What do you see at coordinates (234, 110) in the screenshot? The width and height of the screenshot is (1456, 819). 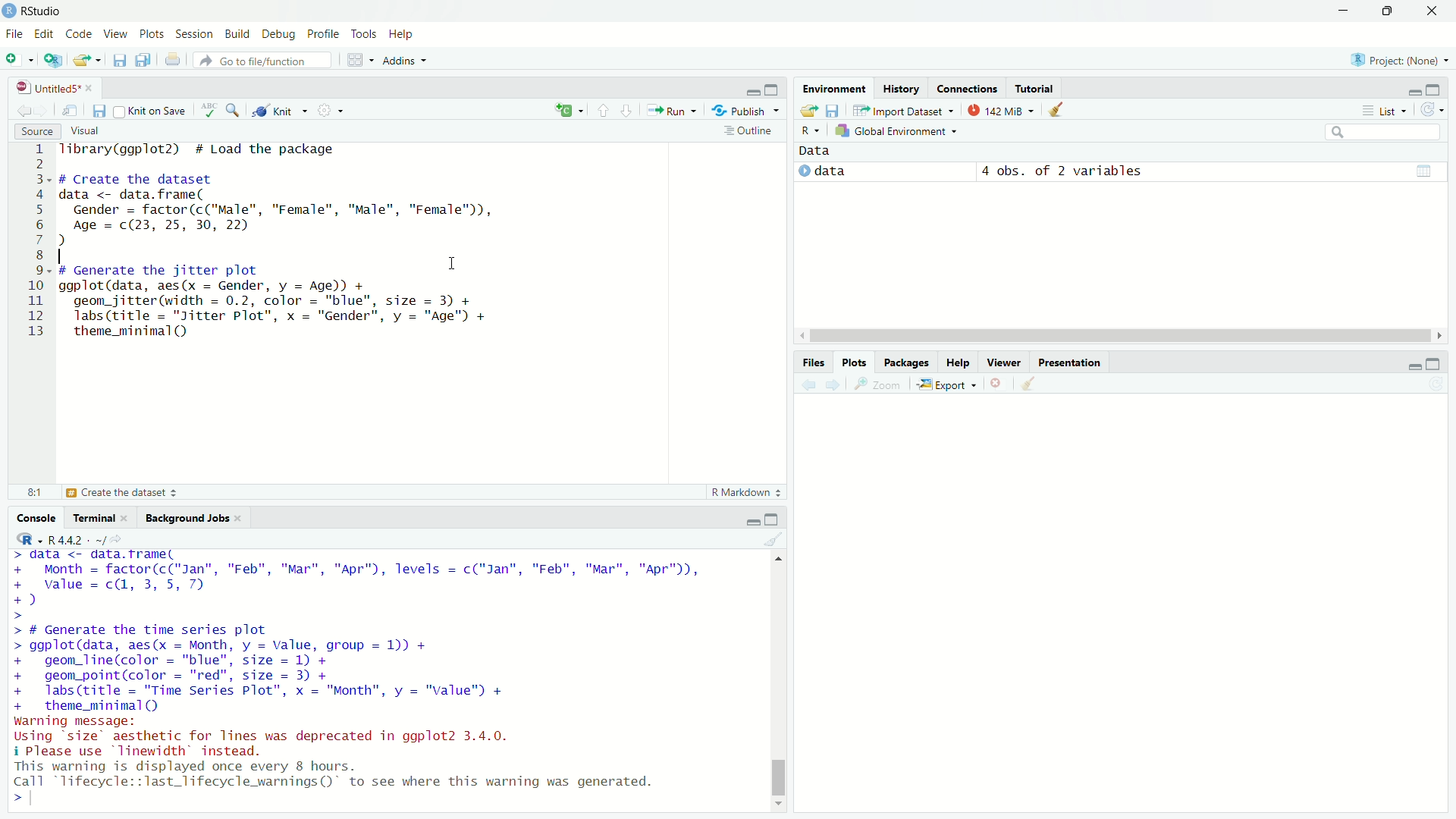 I see `find/replace` at bounding box center [234, 110].